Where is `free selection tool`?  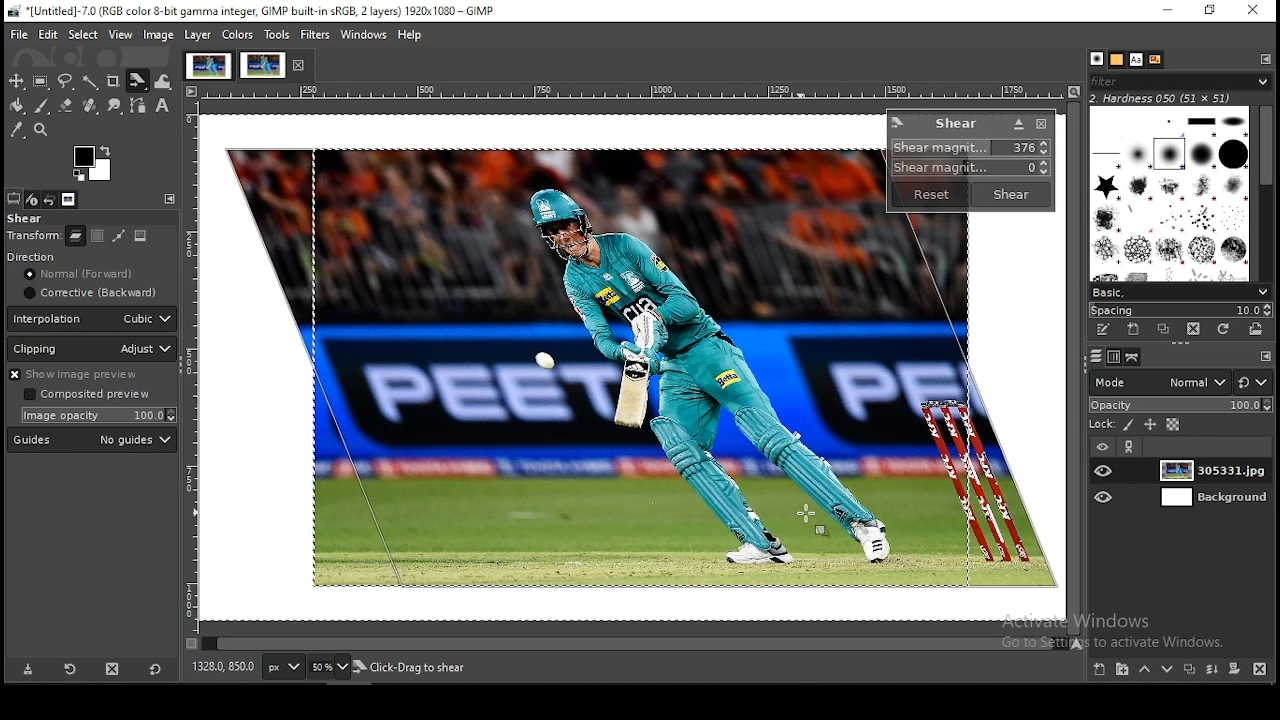
free selection tool is located at coordinates (66, 82).